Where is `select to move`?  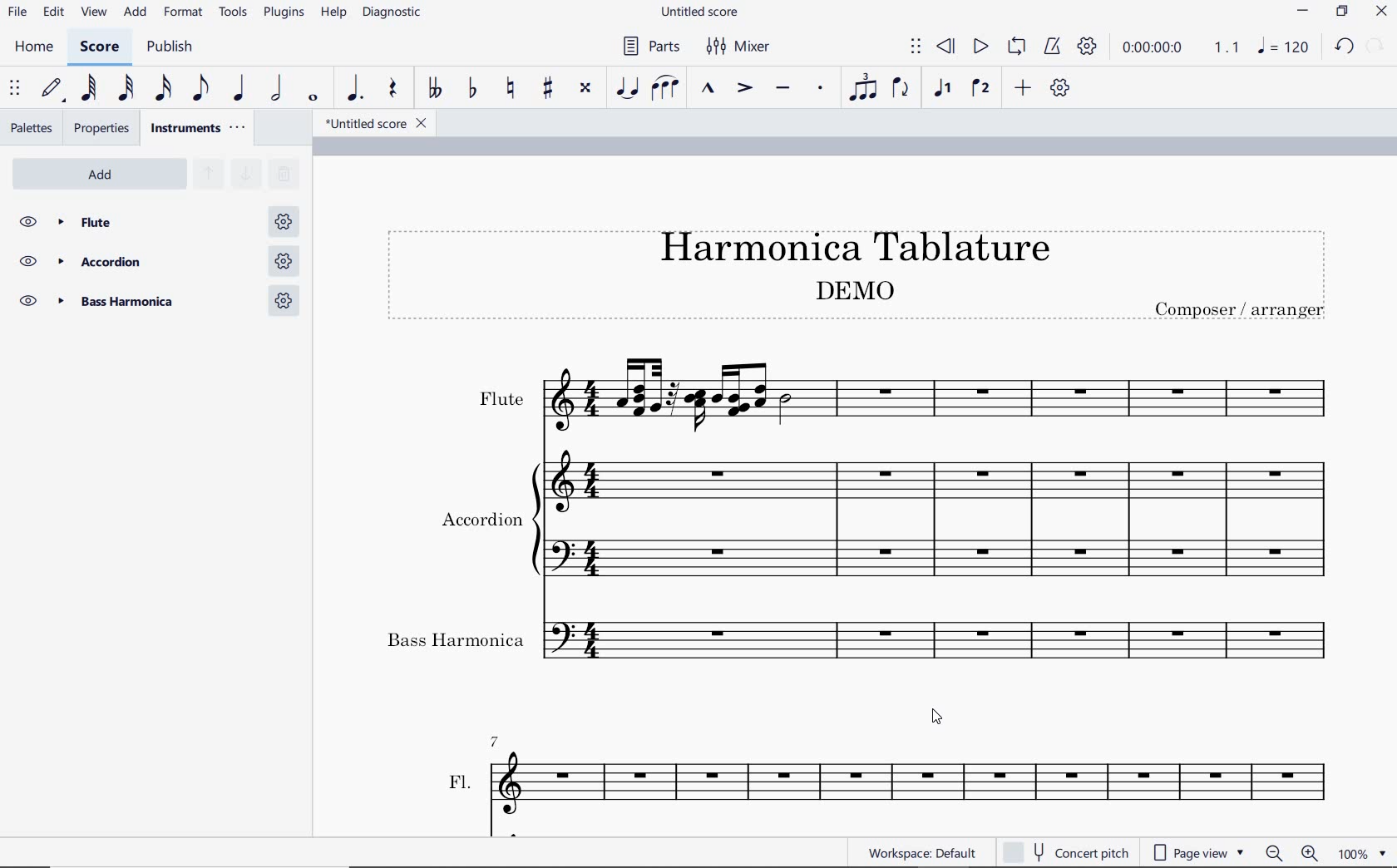
select to move is located at coordinates (15, 89).